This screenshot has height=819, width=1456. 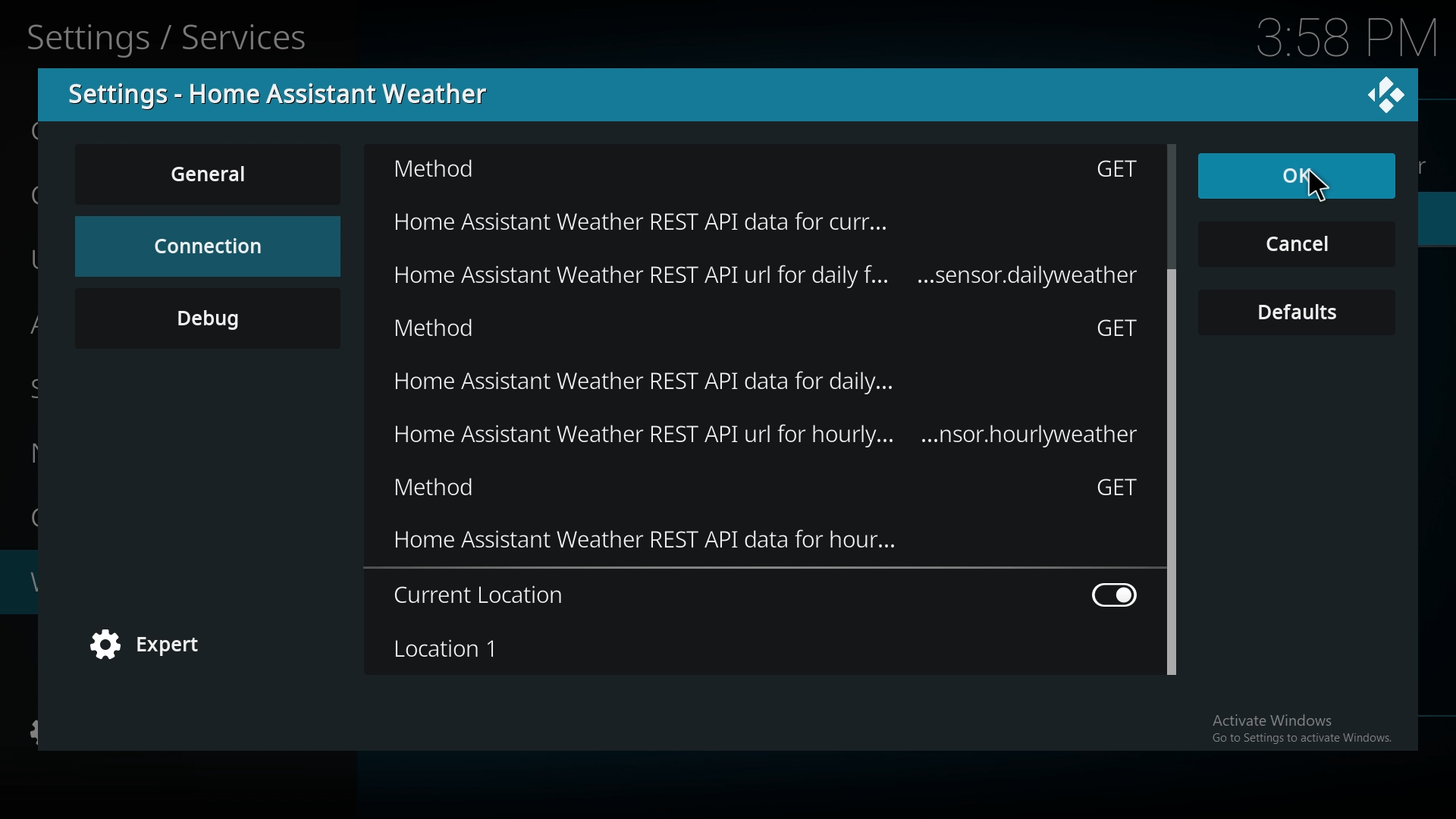 What do you see at coordinates (206, 246) in the screenshot?
I see `connection` at bounding box center [206, 246].